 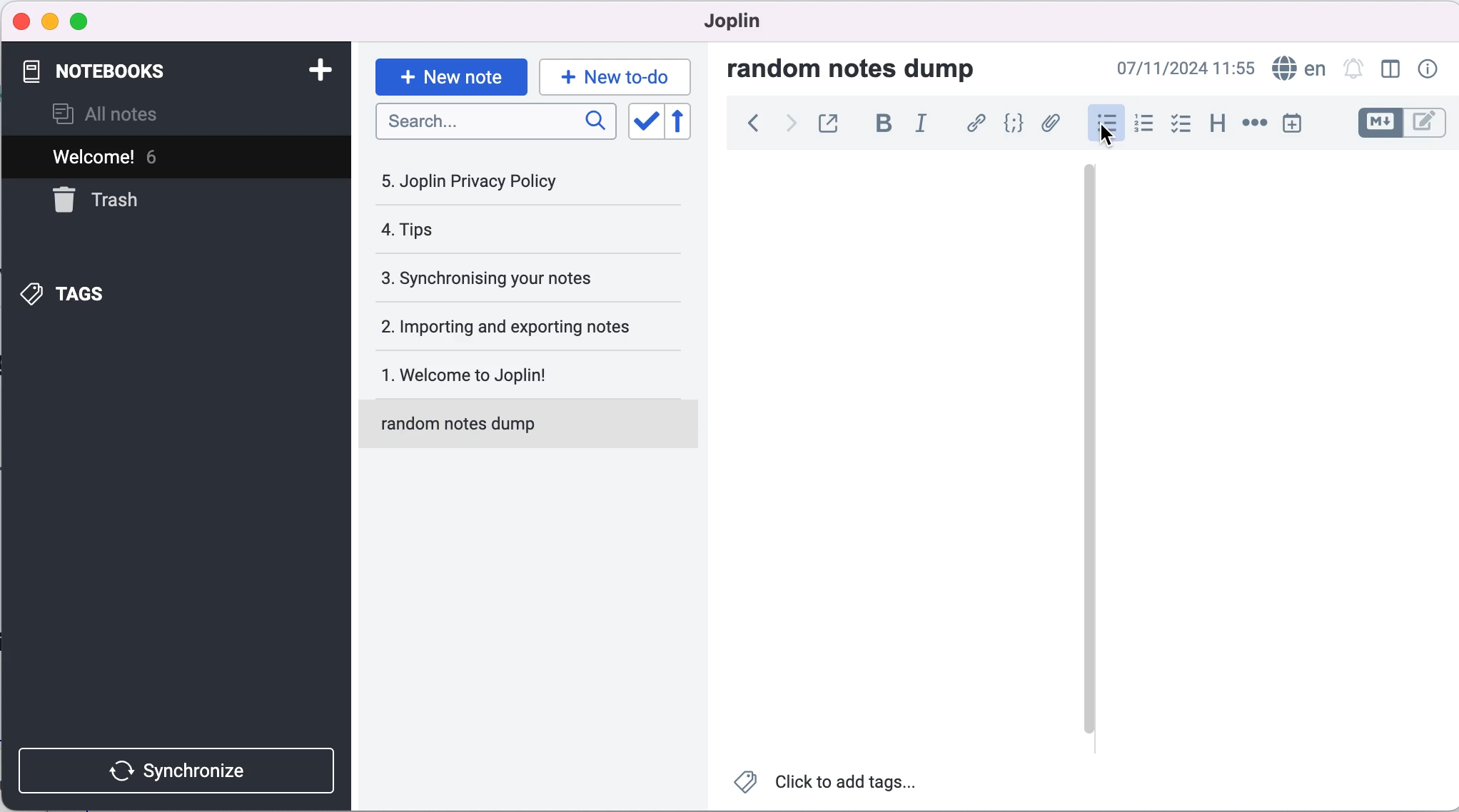 What do you see at coordinates (138, 156) in the screenshot?
I see `welcome! 6` at bounding box center [138, 156].